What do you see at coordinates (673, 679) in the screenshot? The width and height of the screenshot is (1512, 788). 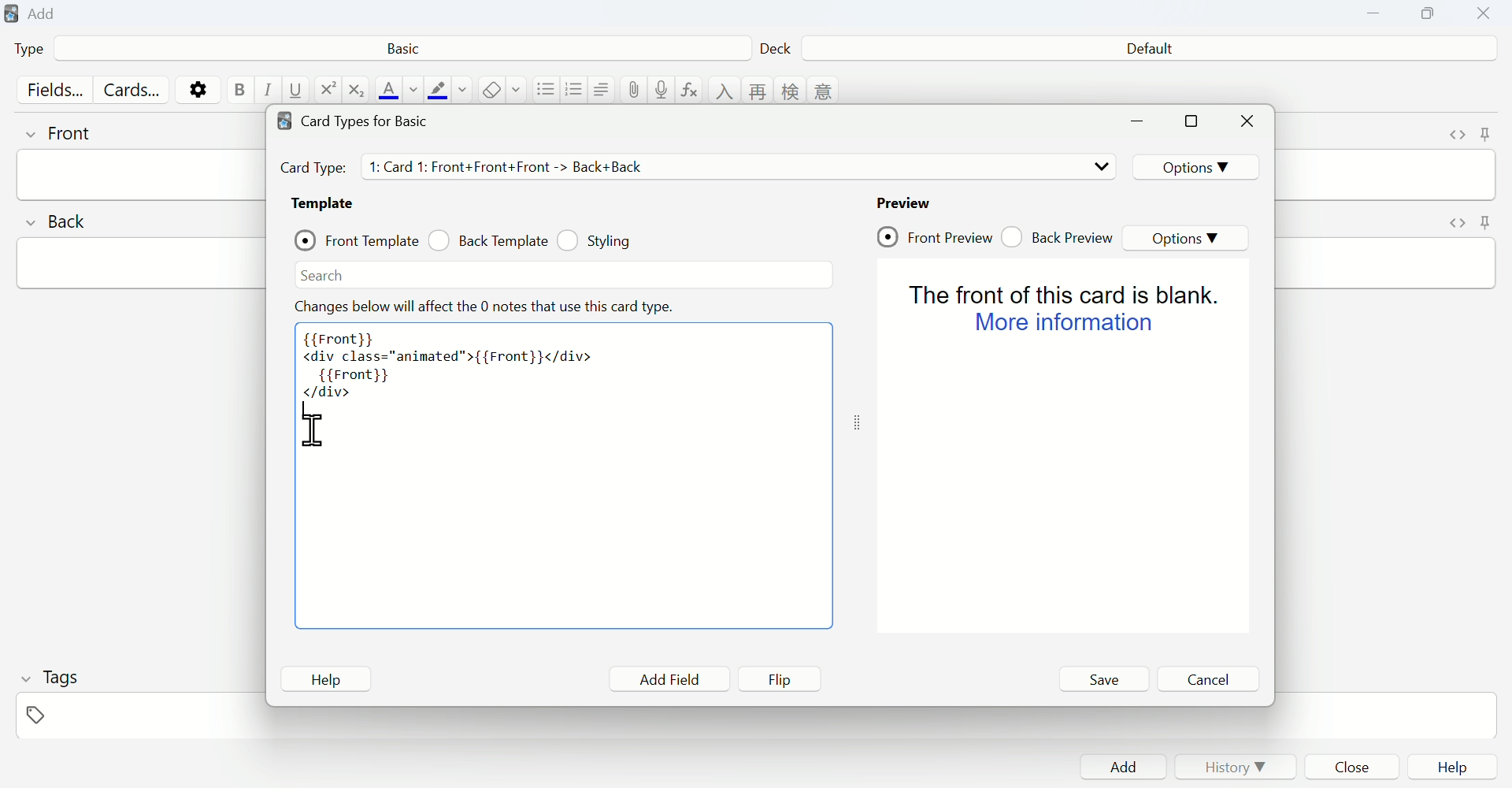 I see `Add Field` at bounding box center [673, 679].